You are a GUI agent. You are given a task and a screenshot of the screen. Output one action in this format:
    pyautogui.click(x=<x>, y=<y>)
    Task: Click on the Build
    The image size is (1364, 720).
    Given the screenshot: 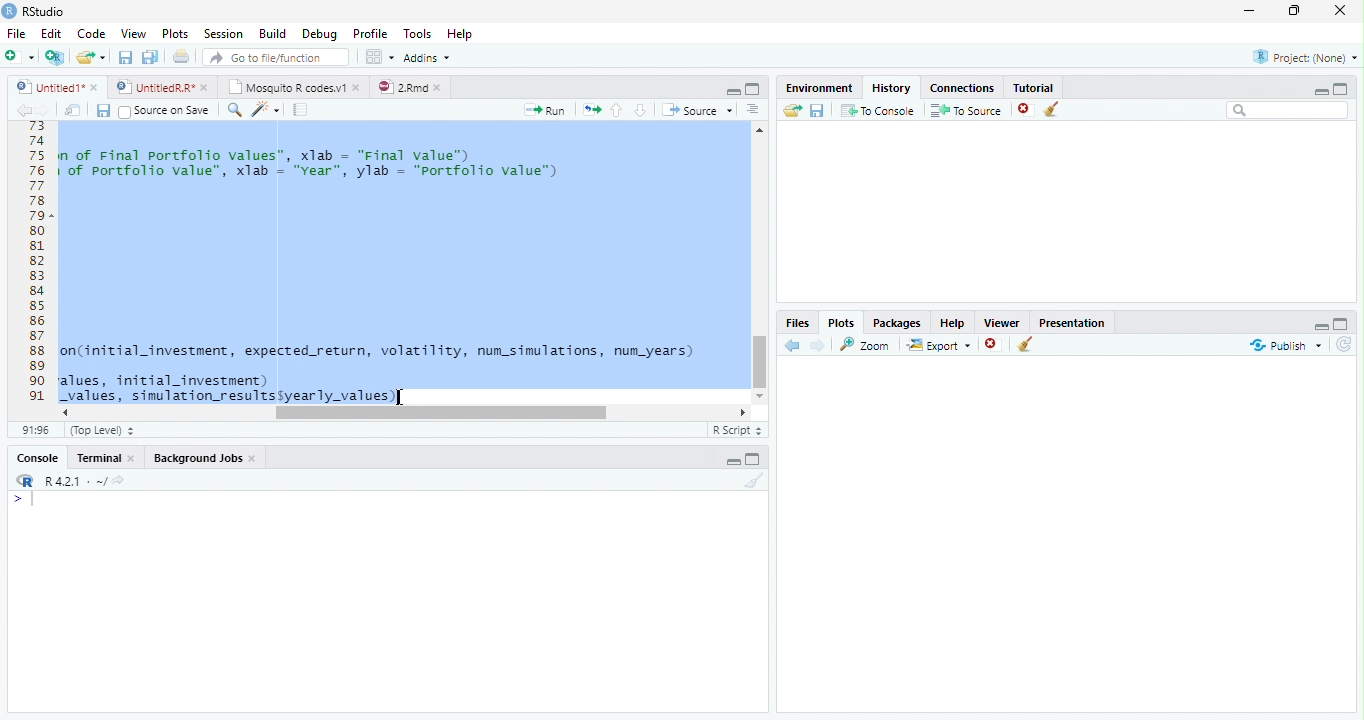 What is the action you would take?
    pyautogui.click(x=273, y=34)
    